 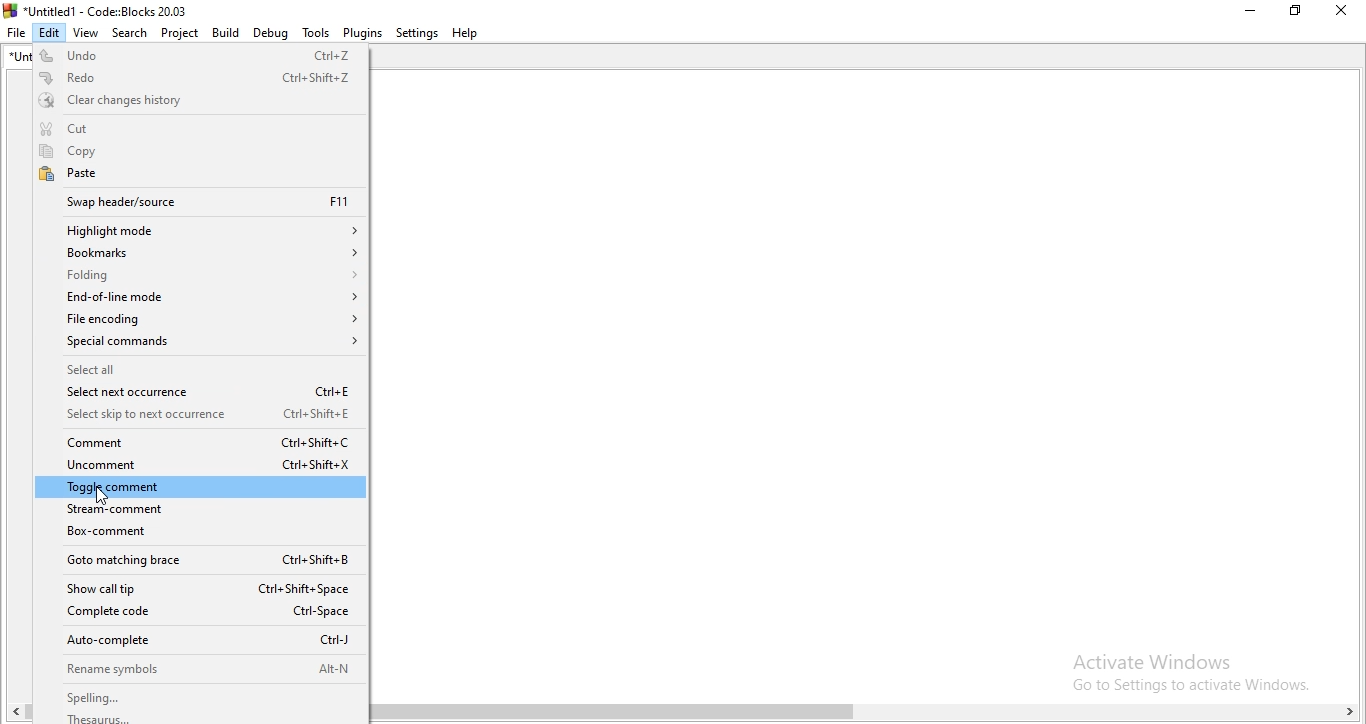 What do you see at coordinates (202, 151) in the screenshot?
I see `Copy` at bounding box center [202, 151].